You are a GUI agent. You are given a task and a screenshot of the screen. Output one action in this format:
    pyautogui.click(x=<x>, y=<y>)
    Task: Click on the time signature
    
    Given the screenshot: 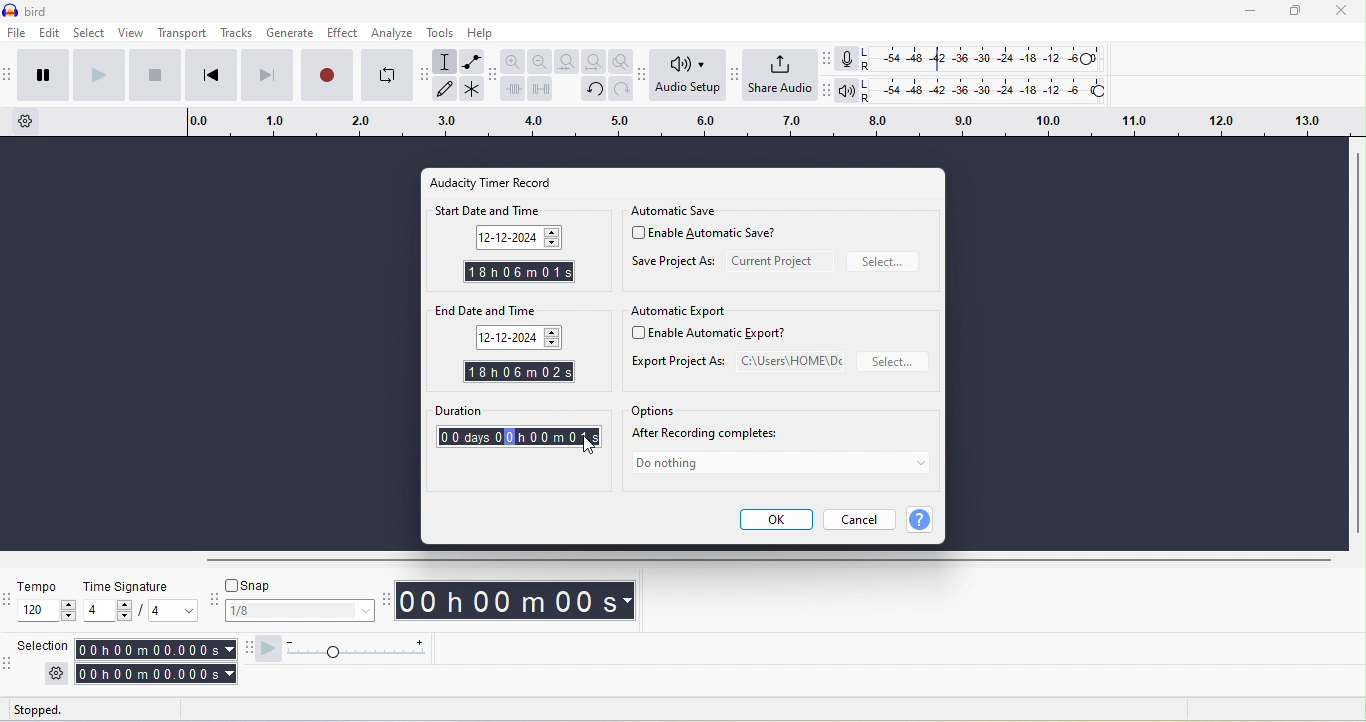 What is the action you would take?
    pyautogui.click(x=139, y=586)
    